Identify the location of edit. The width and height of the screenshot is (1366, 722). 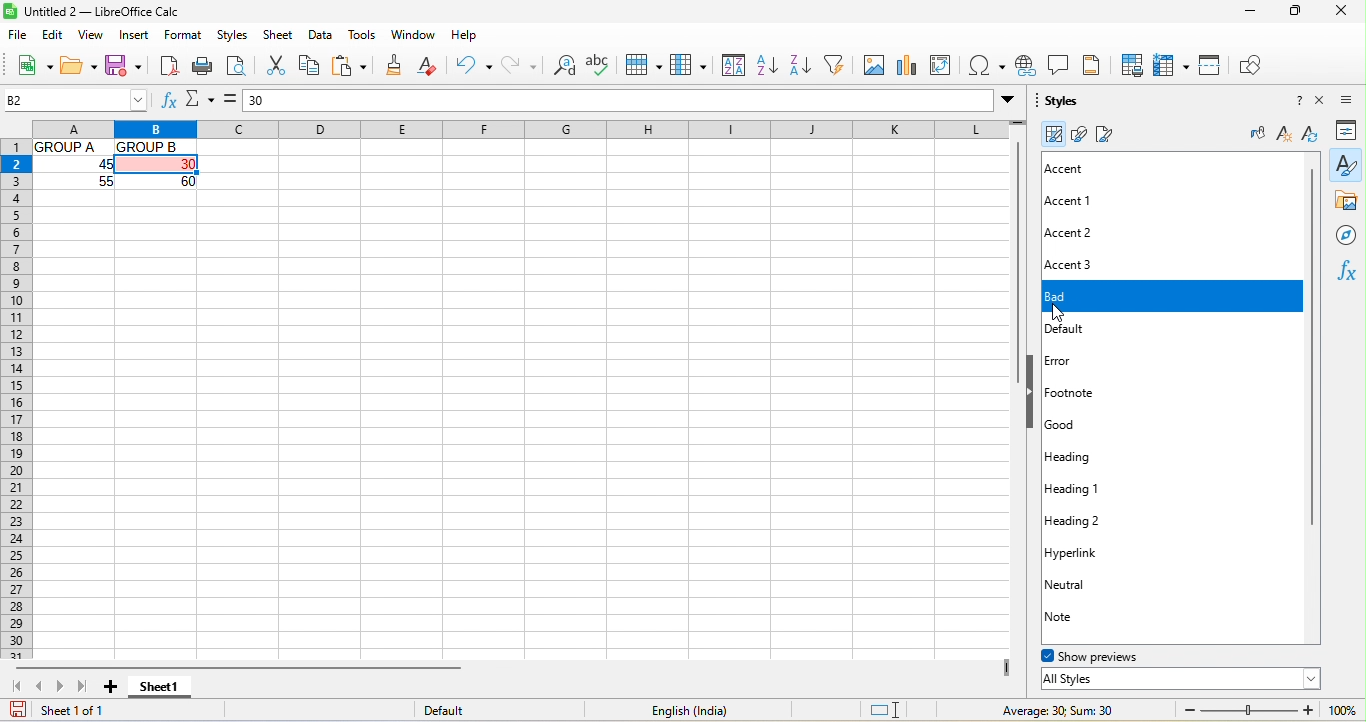
(54, 37).